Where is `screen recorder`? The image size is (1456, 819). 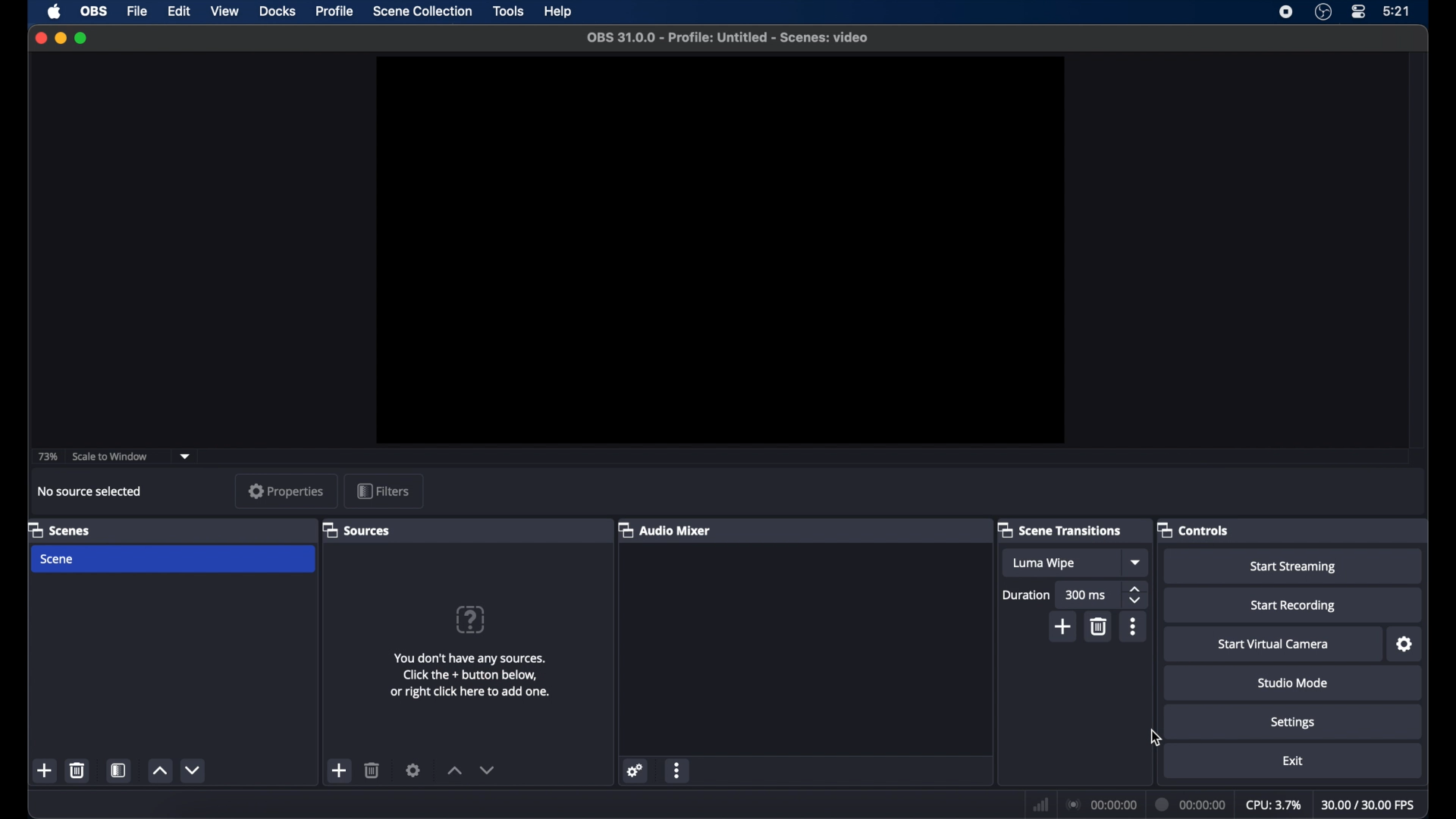 screen recorder is located at coordinates (1287, 11).